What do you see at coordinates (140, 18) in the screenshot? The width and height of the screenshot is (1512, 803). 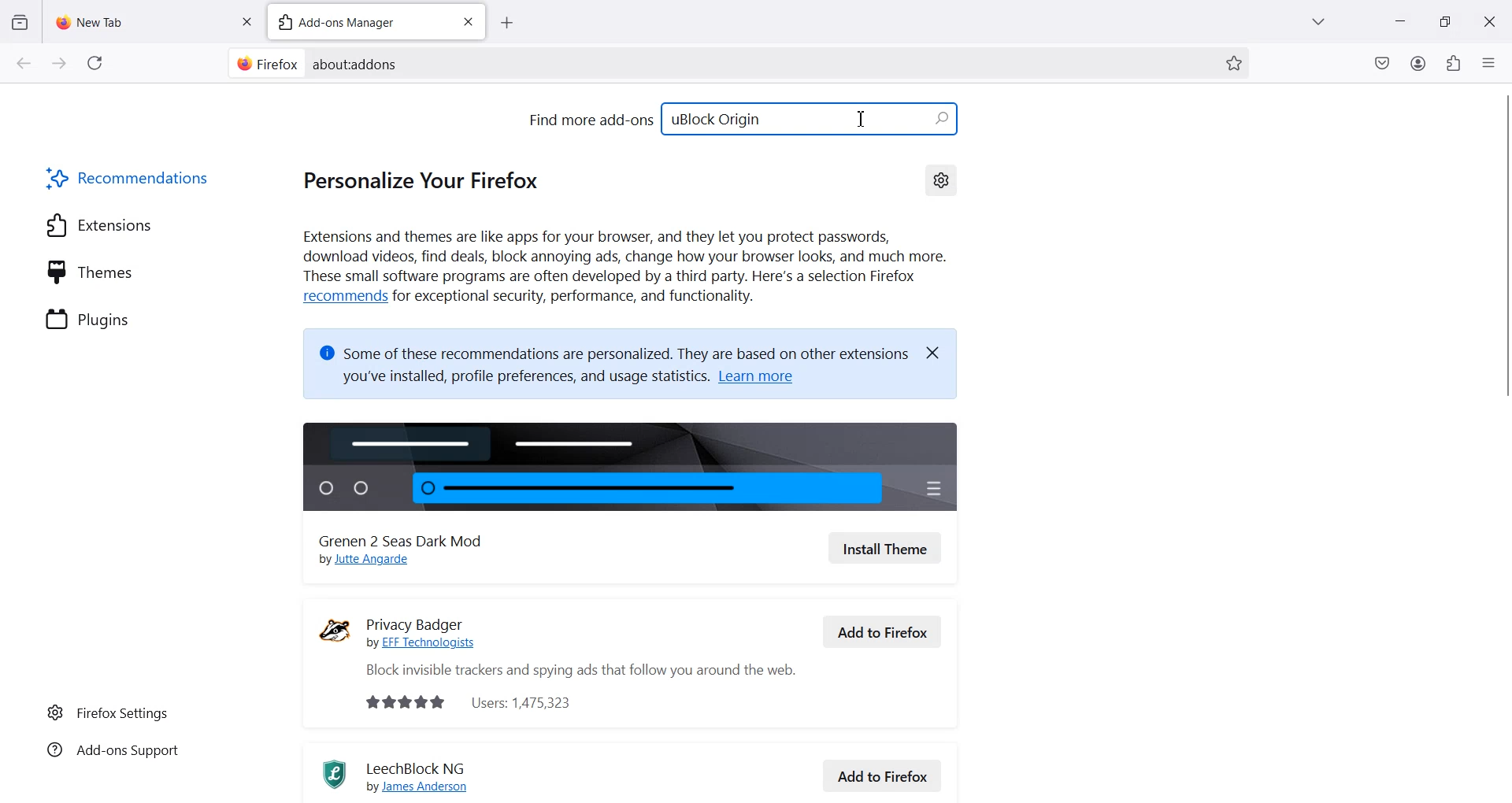 I see `New Tab` at bounding box center [140, 18].